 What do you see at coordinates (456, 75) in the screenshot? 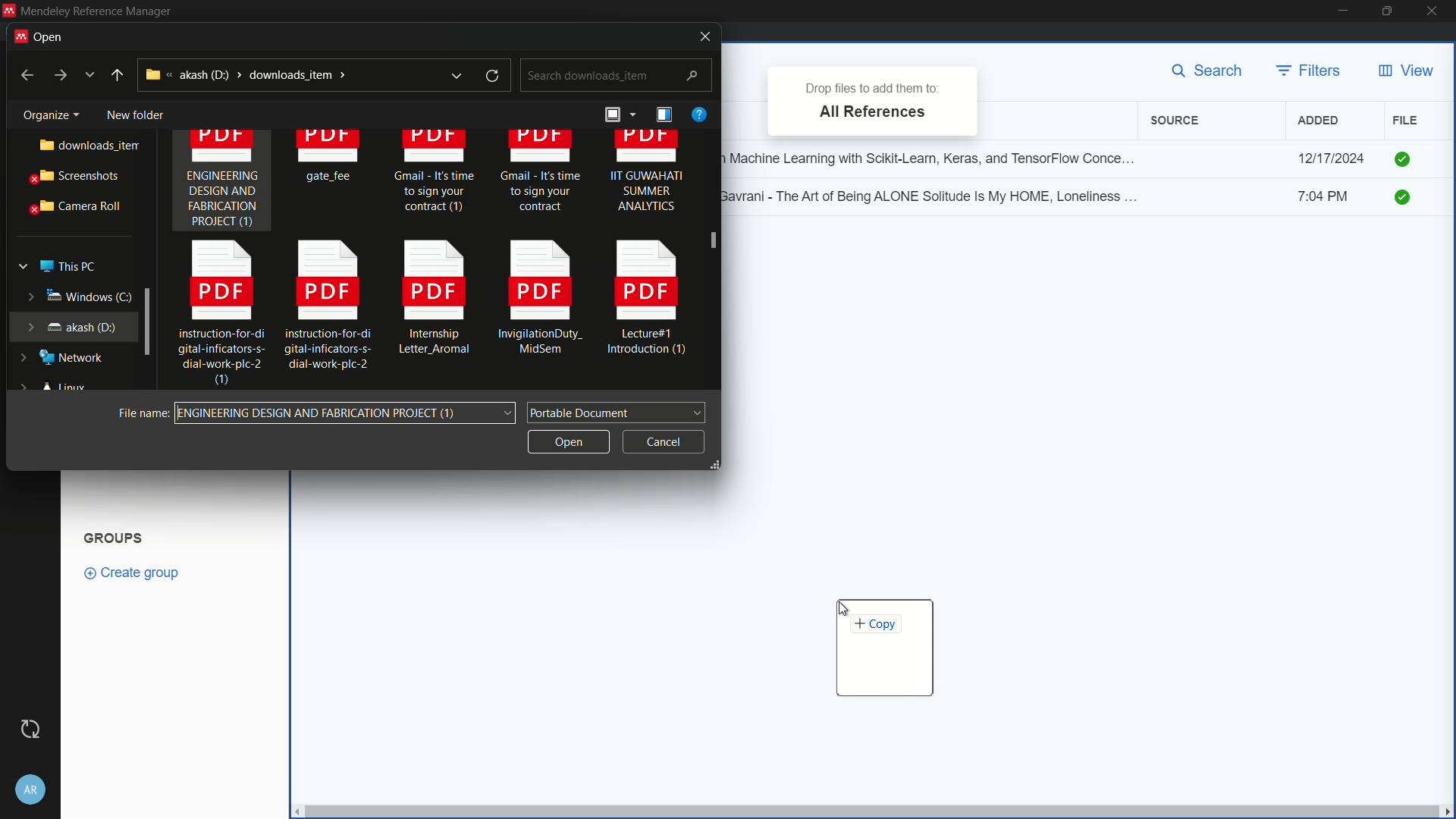
I see `expand` at bounding box center [456, 75].